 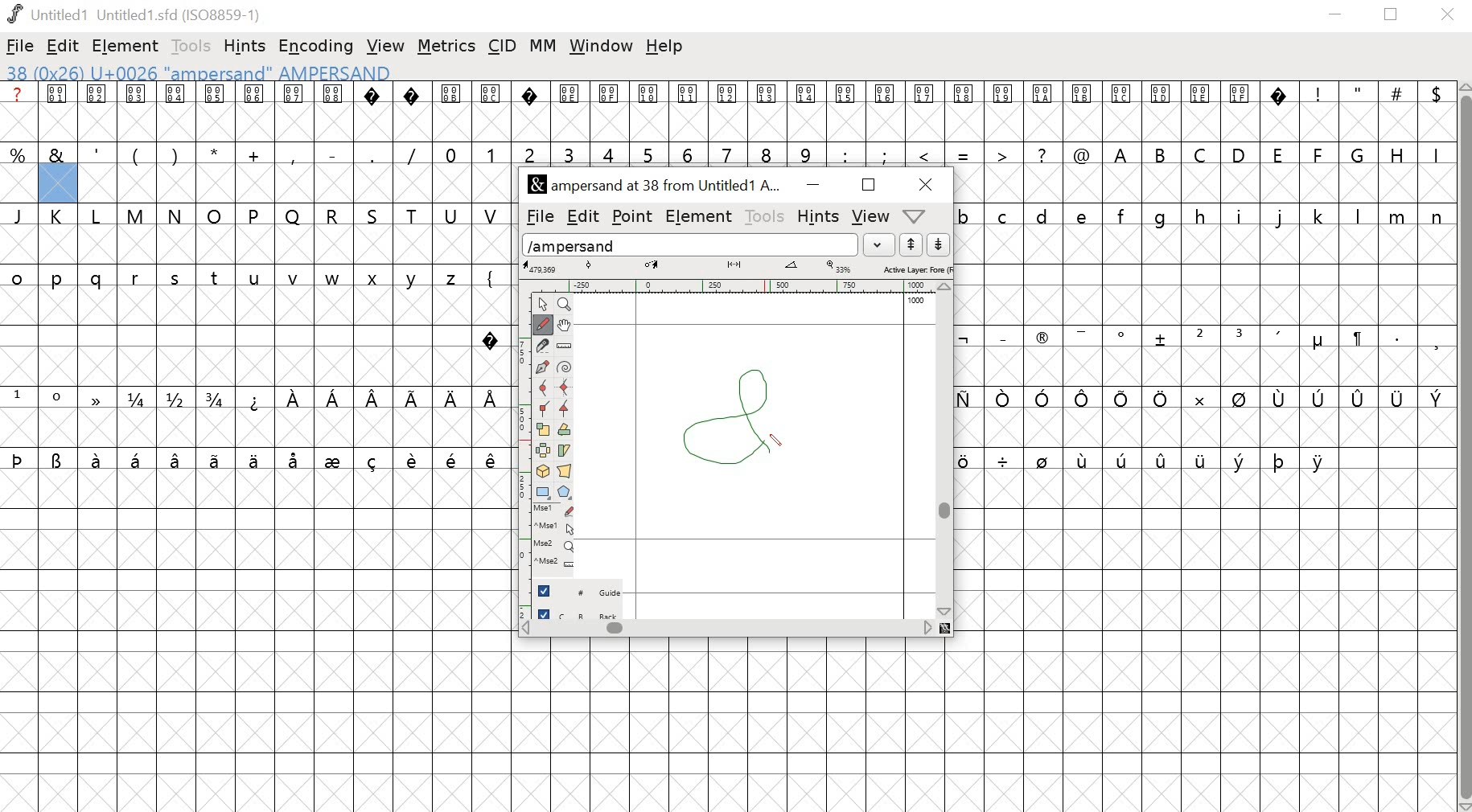 I want to click on symbol, so click(x=1436, y=397).